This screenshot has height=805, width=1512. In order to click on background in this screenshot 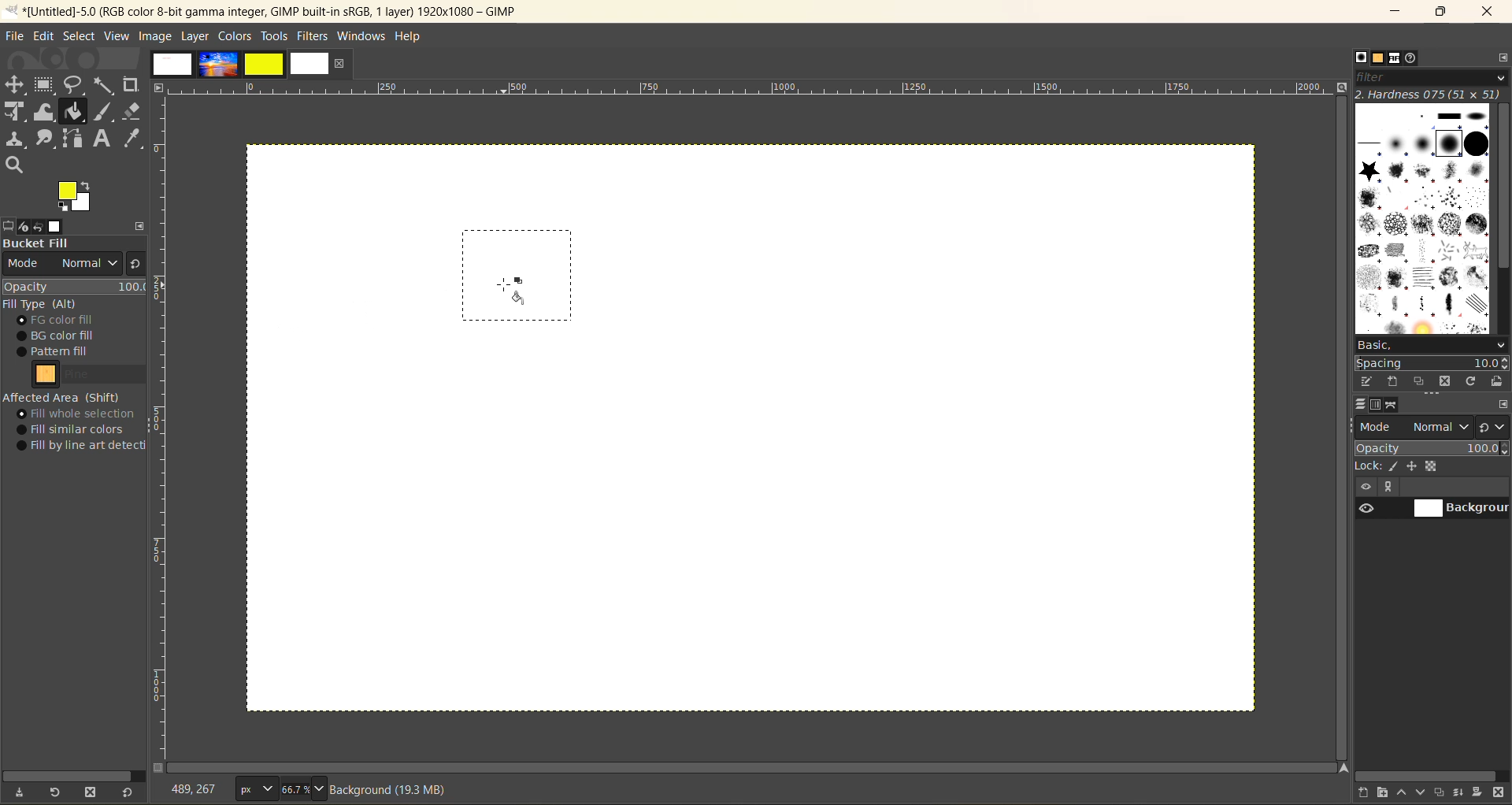, I will do `click(1461, 509)`.